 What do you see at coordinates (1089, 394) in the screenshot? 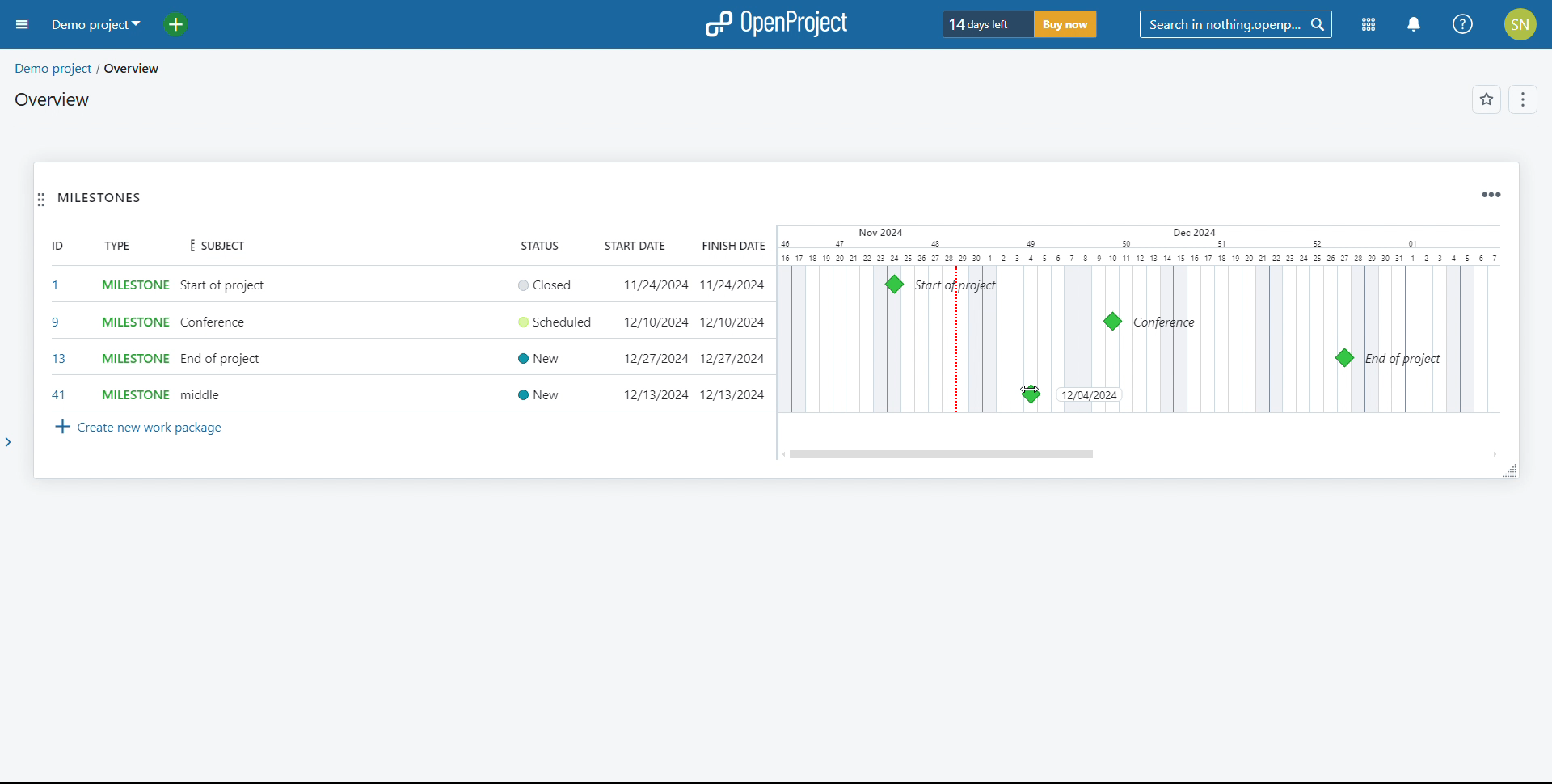
I see `date changed` at bounding box center [1089, 394].